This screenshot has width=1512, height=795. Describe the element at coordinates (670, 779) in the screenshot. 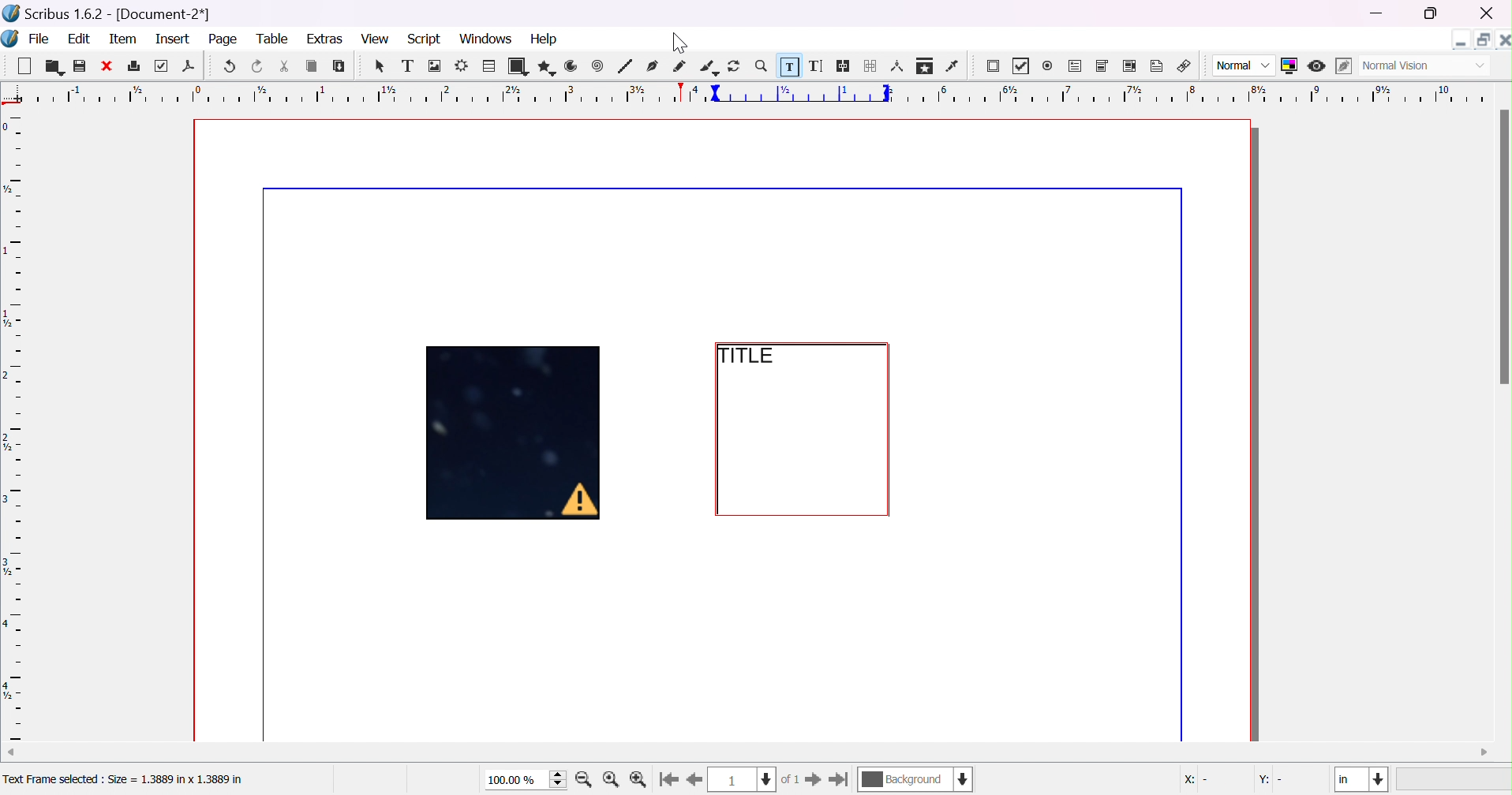

I see `go to first page` at that location.